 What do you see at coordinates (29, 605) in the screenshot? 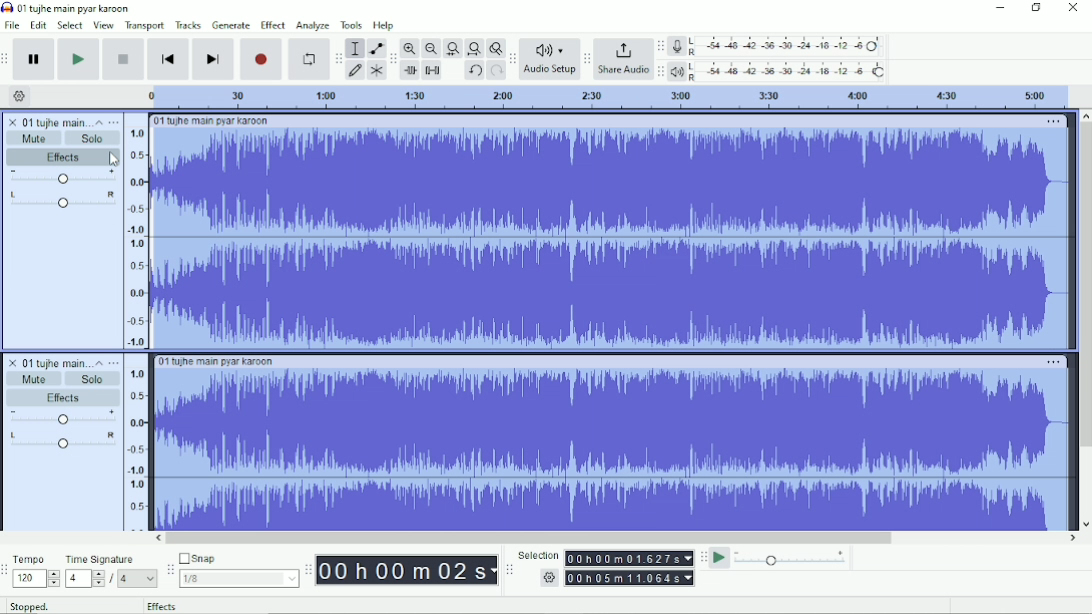
I see `Stopped` at bounding box center [29, 605].